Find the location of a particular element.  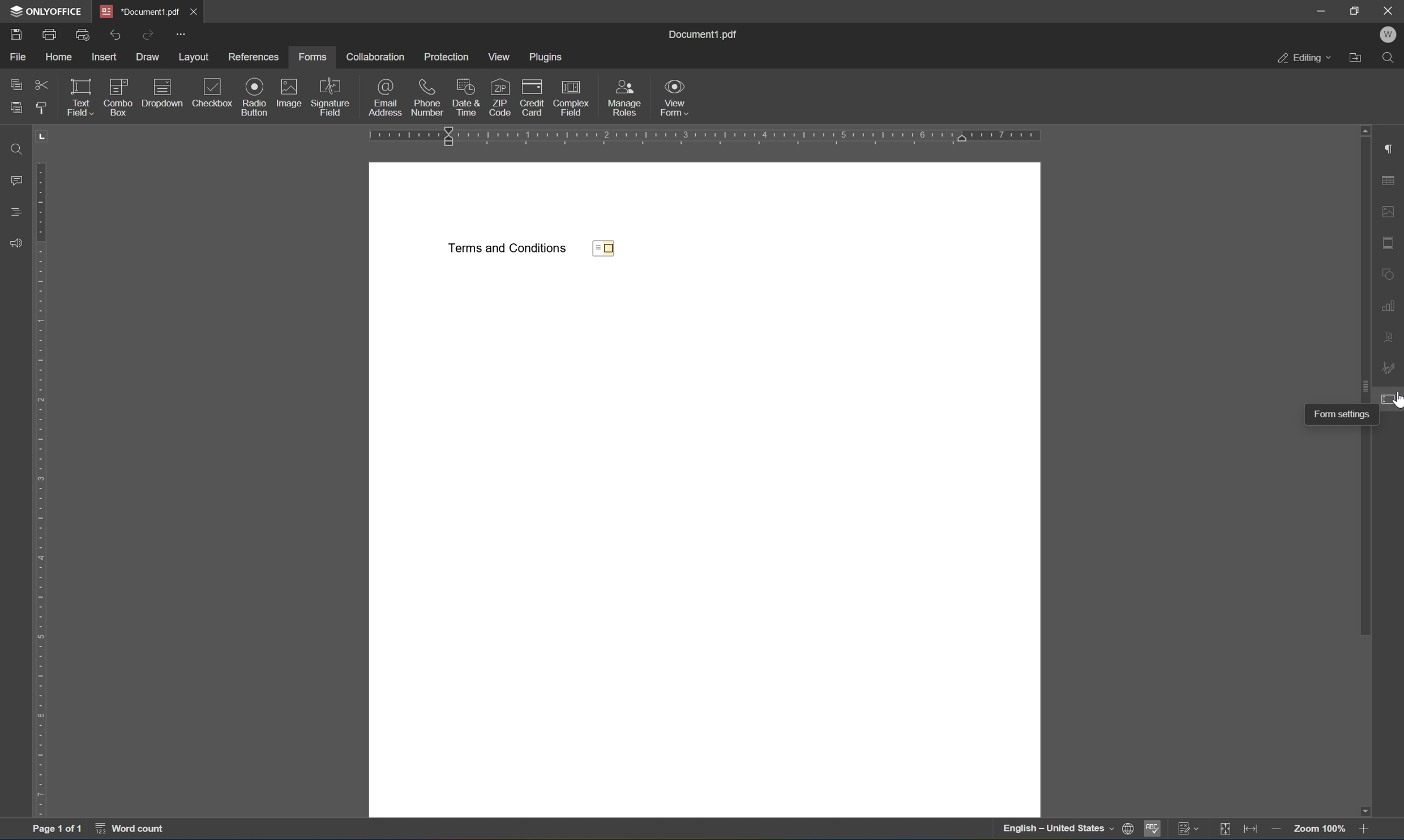

fit to width is located at coordinates (1249, 830).